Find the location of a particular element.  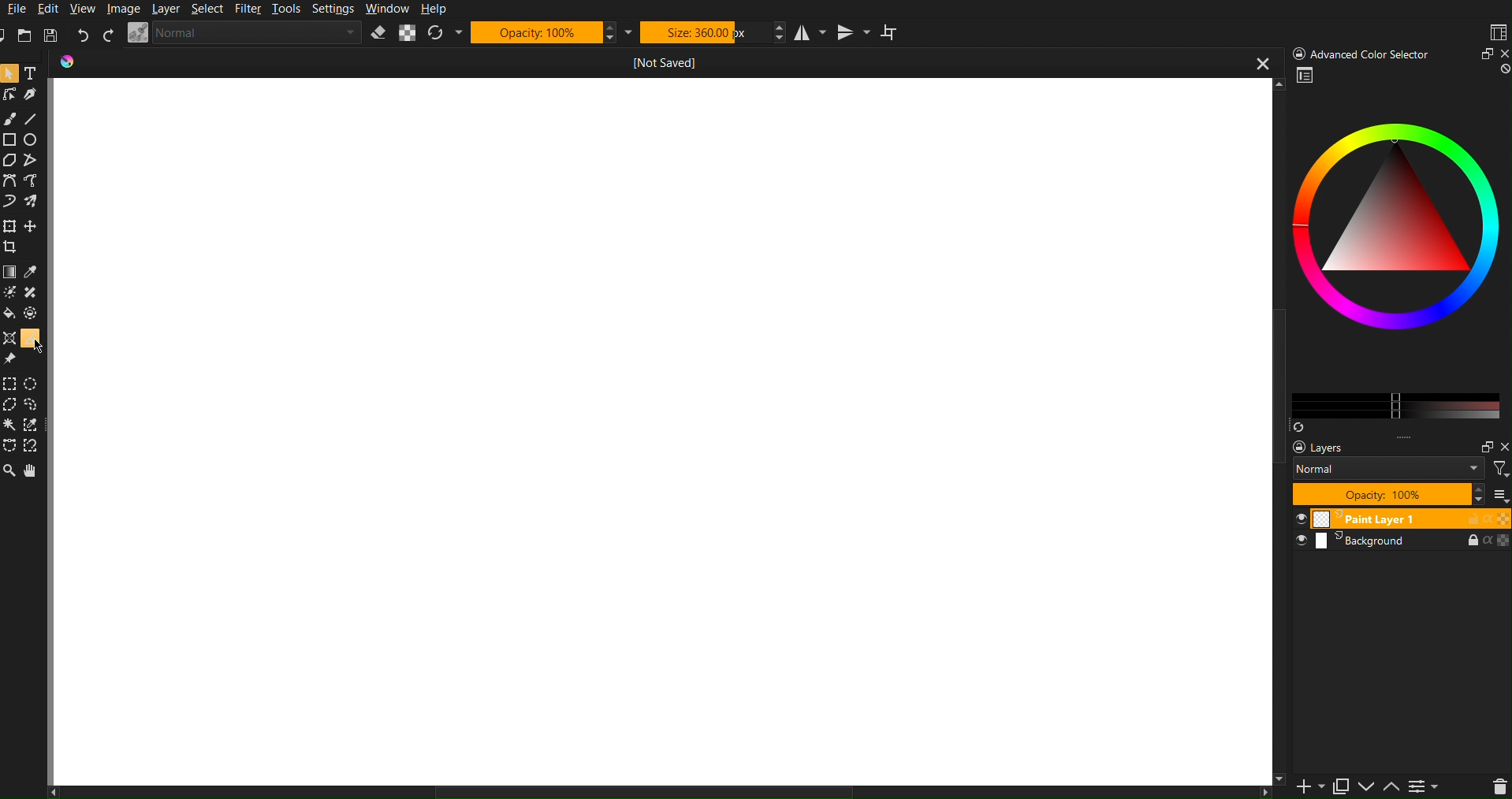

Background is located at coordinates (1401, 542).